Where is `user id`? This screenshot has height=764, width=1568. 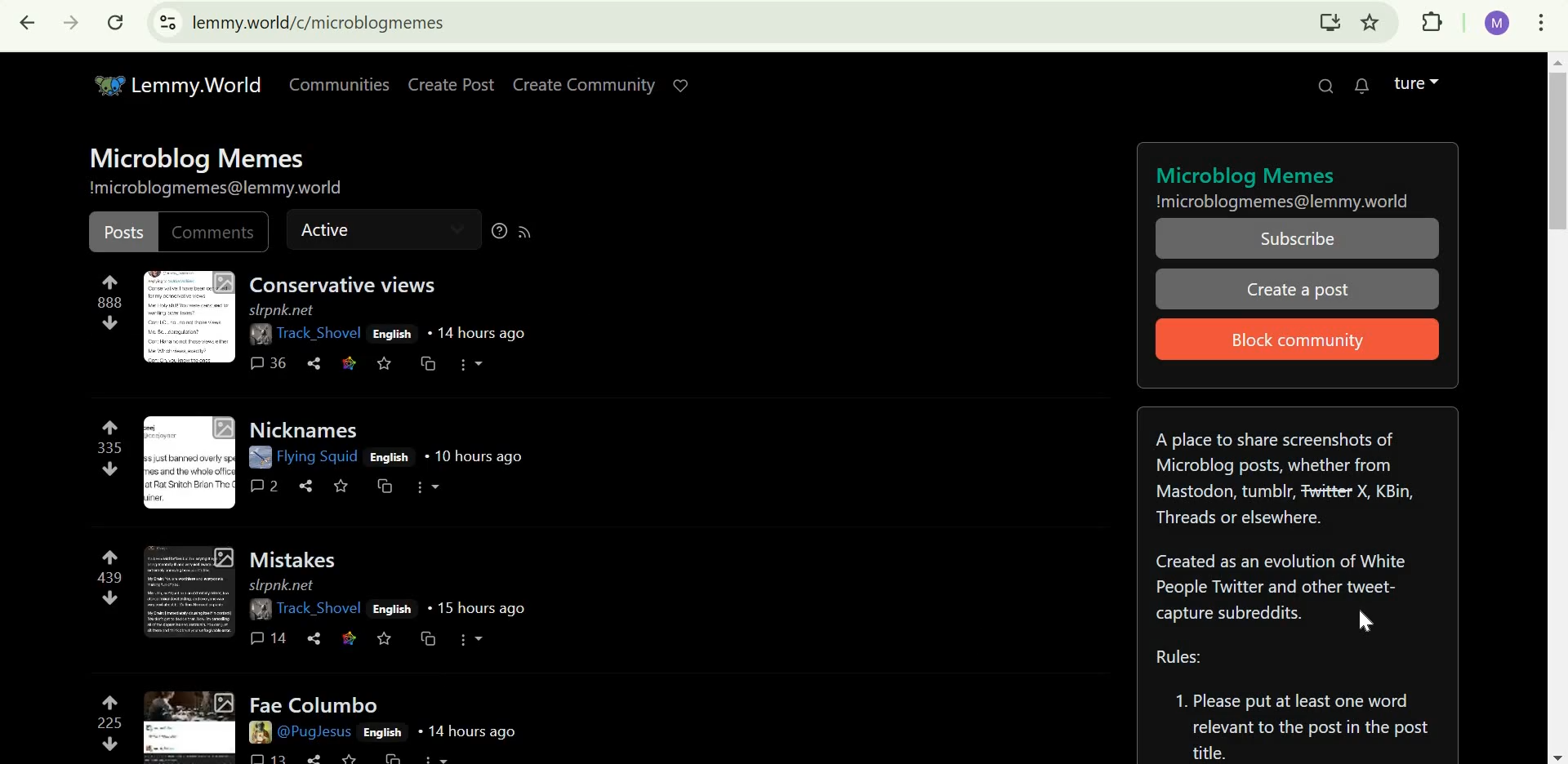 user id is located at coordinates (317, 457).